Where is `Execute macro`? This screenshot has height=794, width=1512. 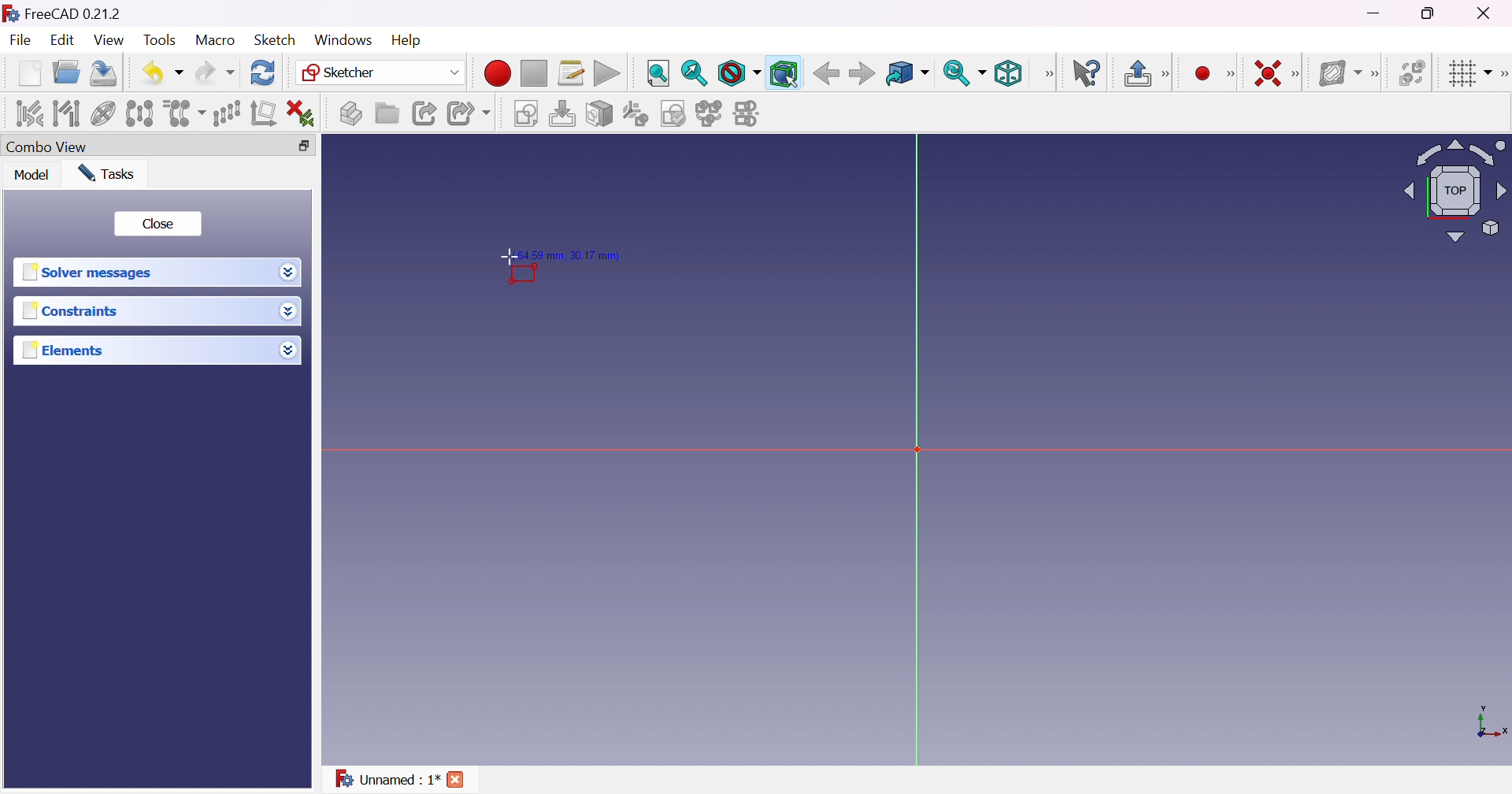 Execute macro is located at coordinates (607, 74).